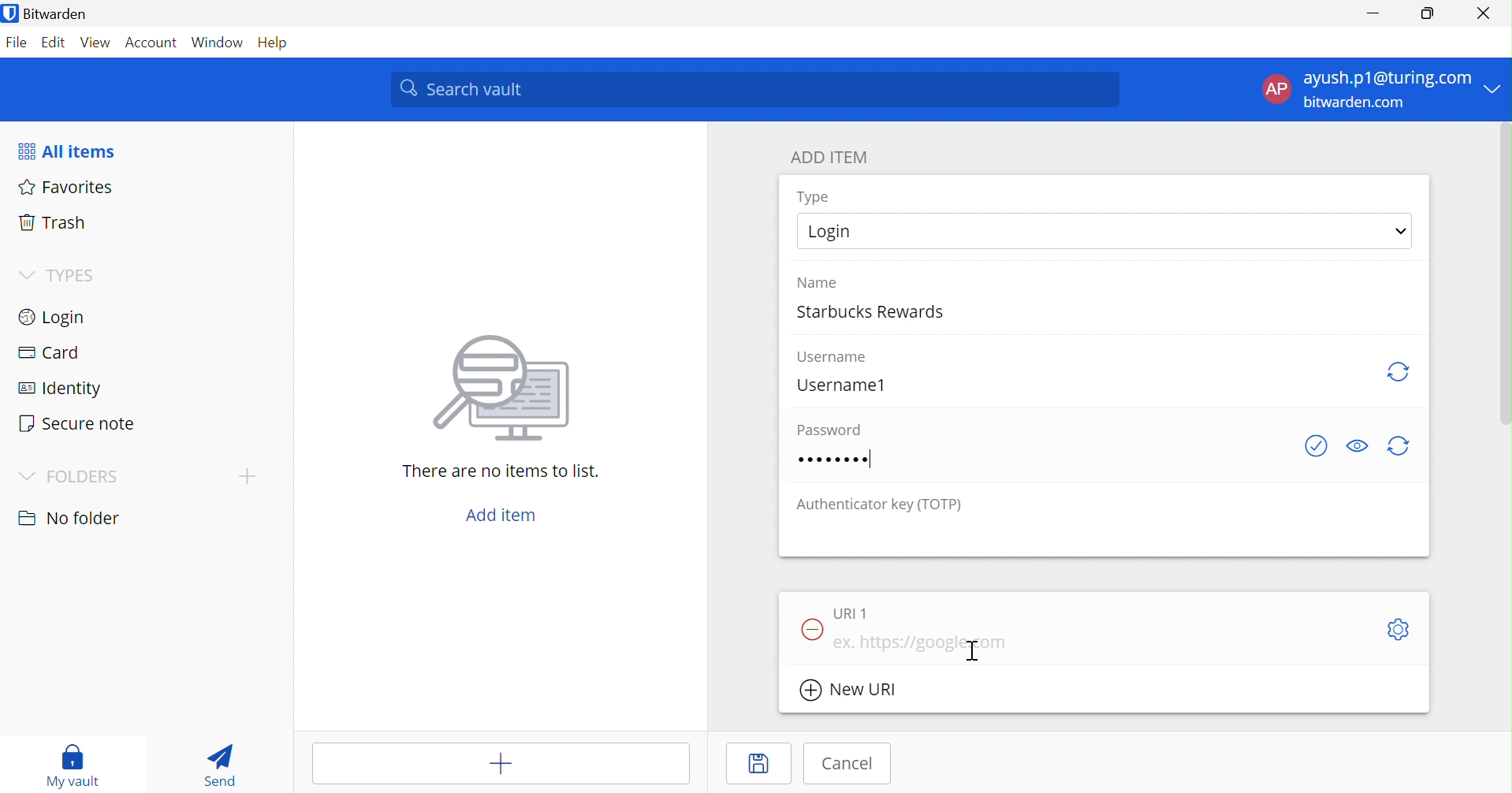 The height and width of the screenshot is (793, 1512). I want to click on Favorites, so click(67, 188).